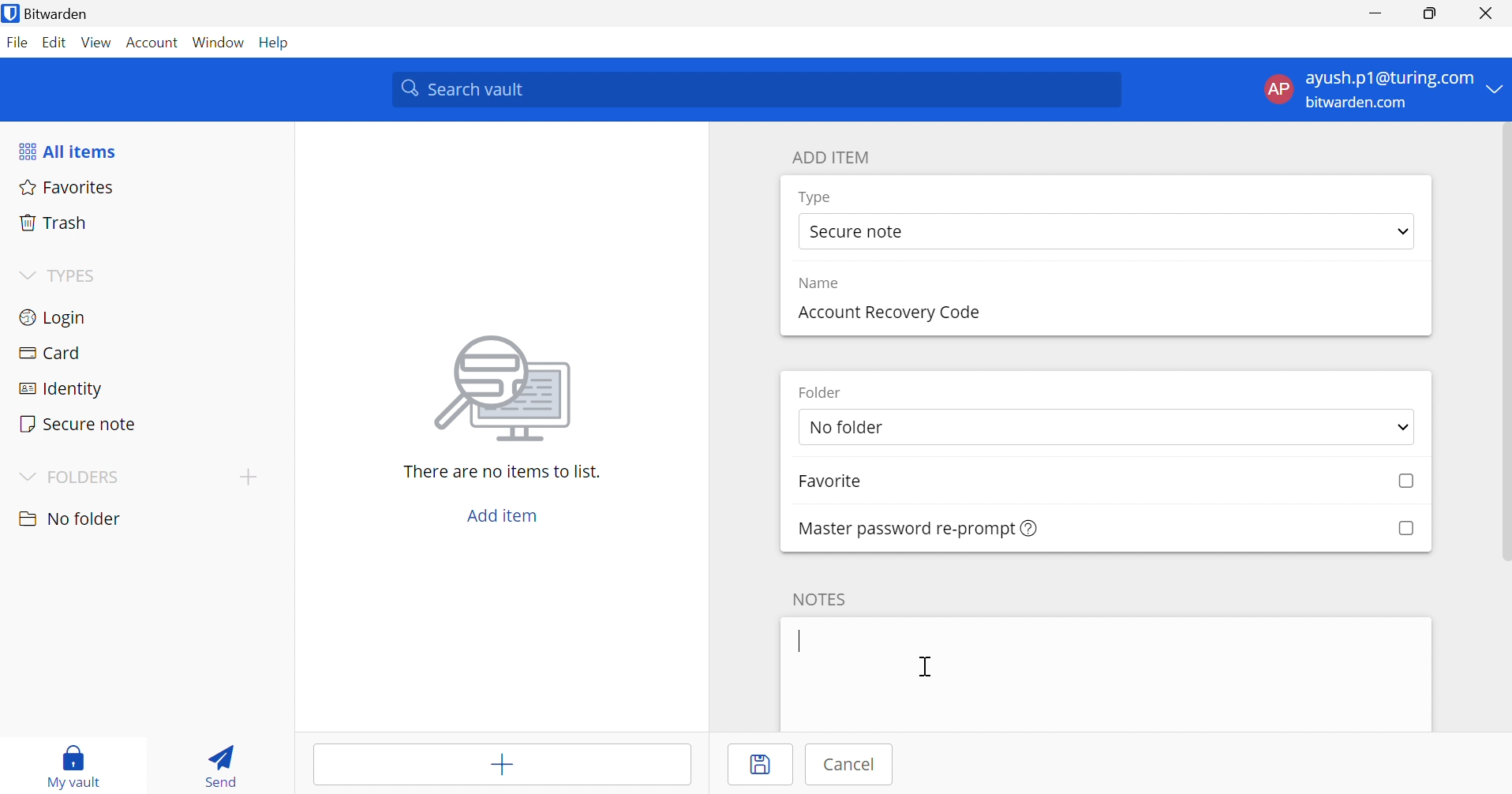  I want to click on Add item, so click(501, 516).